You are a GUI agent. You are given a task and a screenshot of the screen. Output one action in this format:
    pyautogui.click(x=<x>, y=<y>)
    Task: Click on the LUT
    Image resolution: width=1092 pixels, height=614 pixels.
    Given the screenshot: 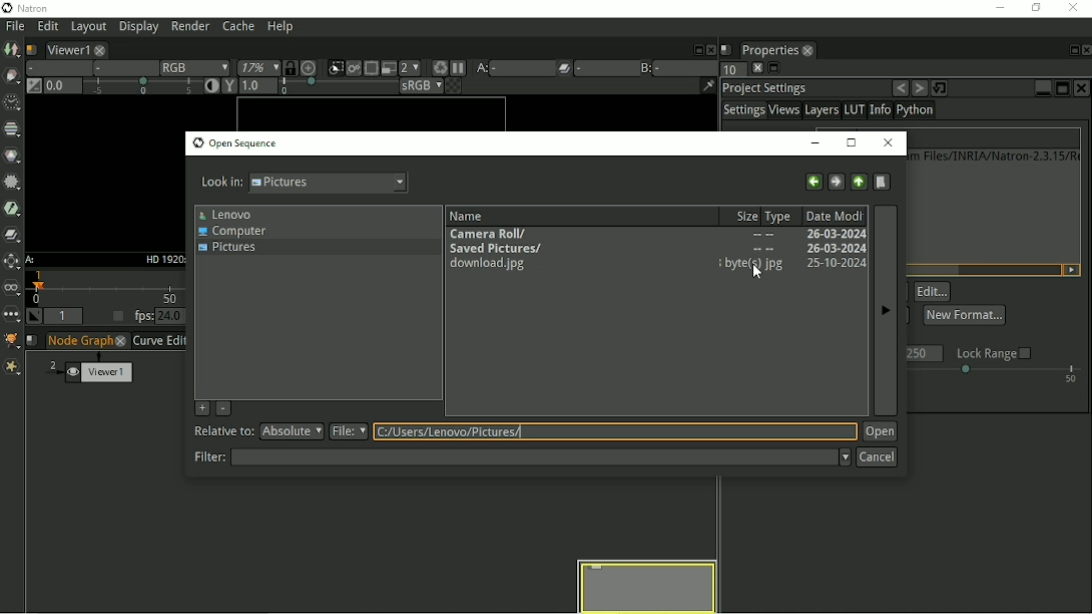 What is the action you would take?
    pyautogui.click(x=854, y=110)
    